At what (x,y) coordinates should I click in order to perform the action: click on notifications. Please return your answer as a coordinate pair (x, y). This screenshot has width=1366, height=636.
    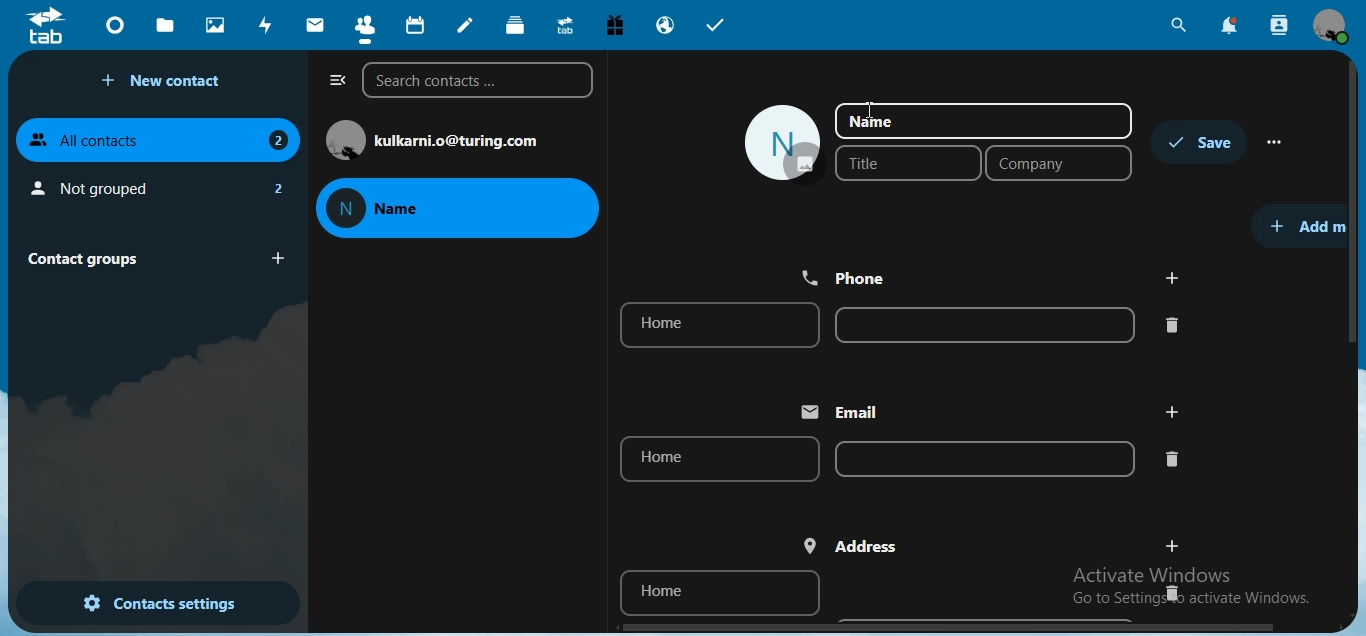
    Looking at the image, I should click on (1230, 26).